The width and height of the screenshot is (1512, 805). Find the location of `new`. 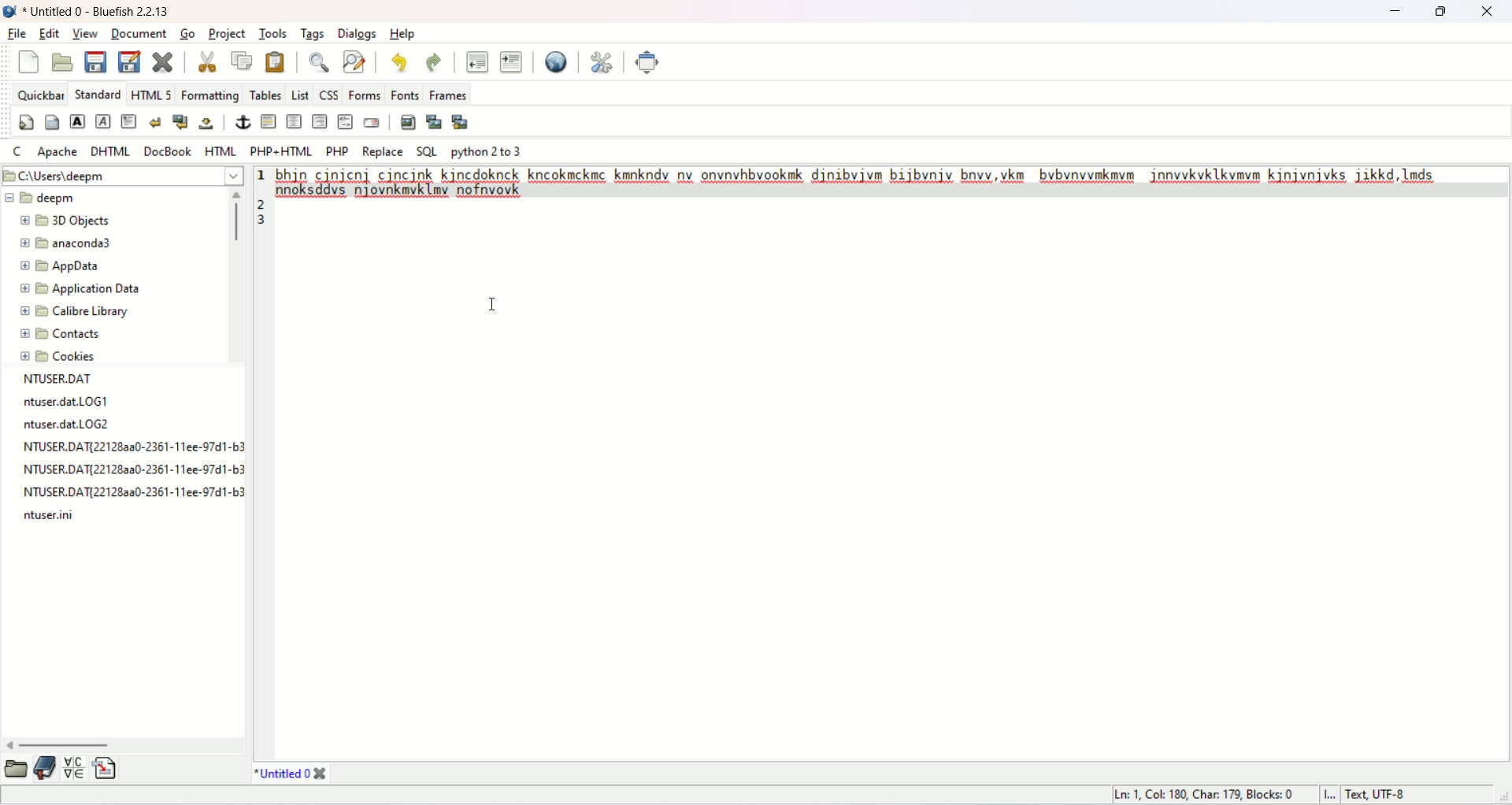

new is located at coordinates (29, 61).